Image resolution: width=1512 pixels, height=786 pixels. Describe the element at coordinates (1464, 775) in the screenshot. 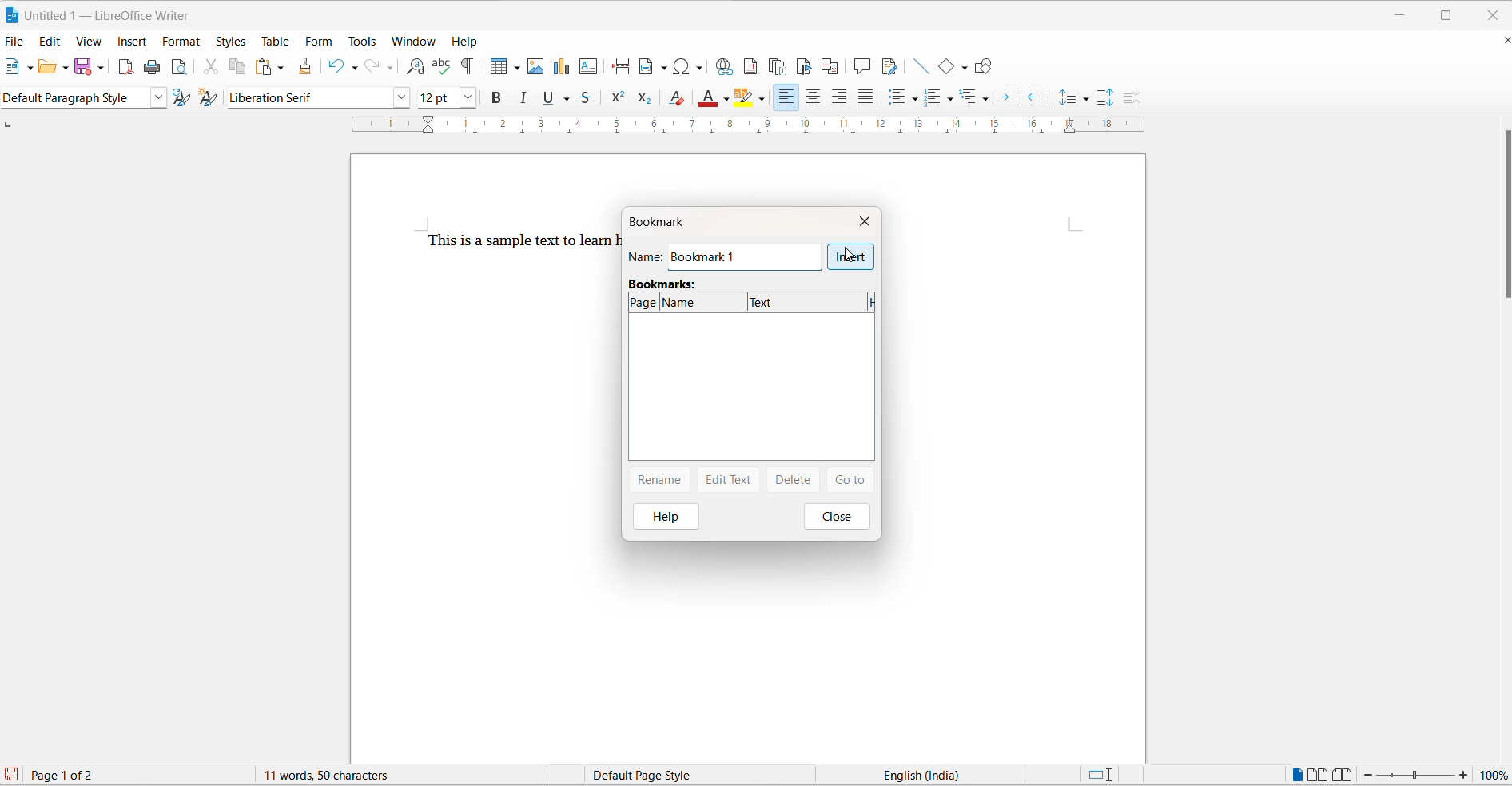

I see `increase zoom` at that location.